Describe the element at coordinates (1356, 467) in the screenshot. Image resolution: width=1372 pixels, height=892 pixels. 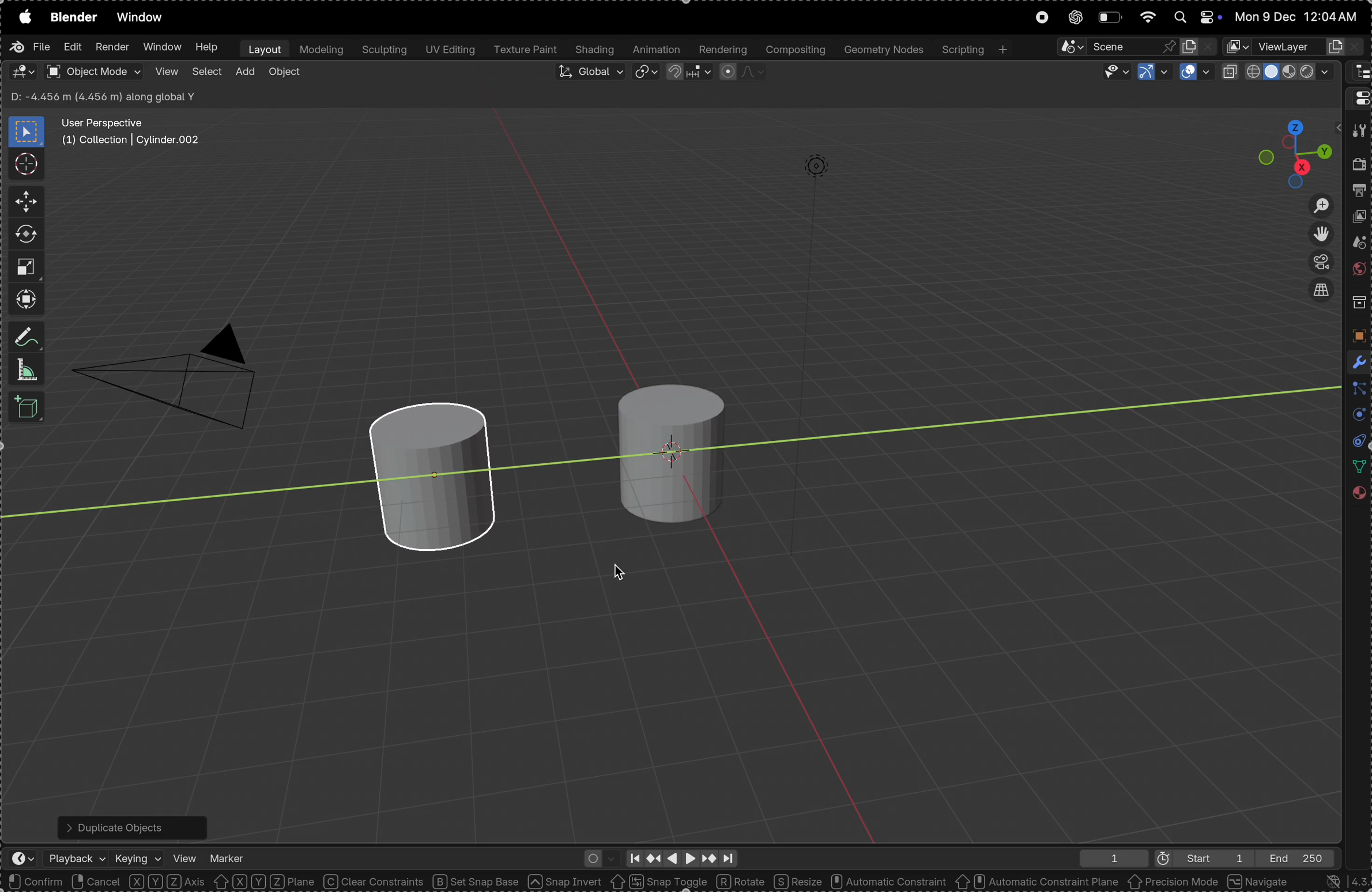
I see `data` at that location.